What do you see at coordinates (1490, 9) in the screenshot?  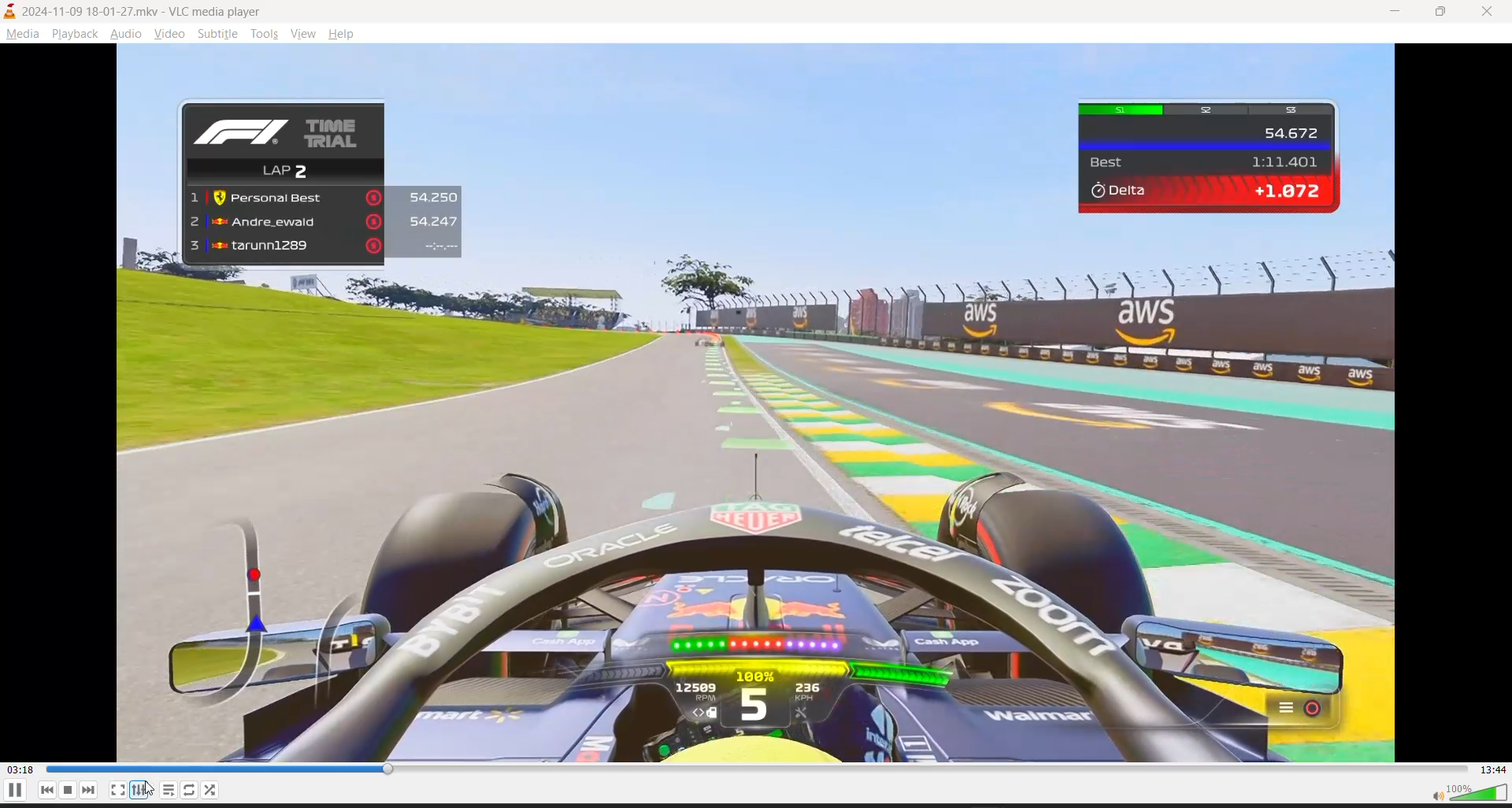 I see `close` at bounding box center [1490, 9].